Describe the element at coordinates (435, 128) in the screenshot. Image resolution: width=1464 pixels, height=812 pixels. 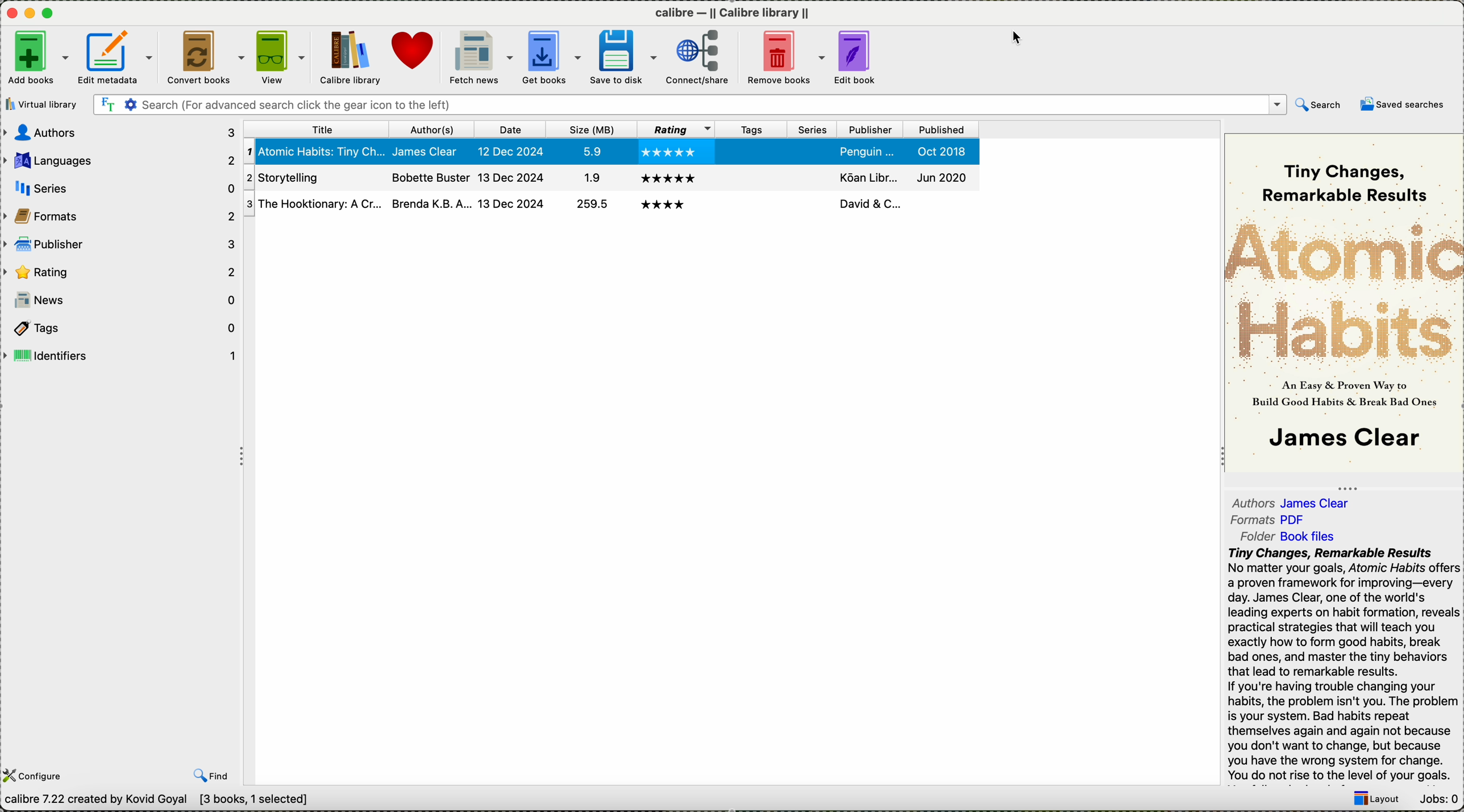
I see `authors` at that location.